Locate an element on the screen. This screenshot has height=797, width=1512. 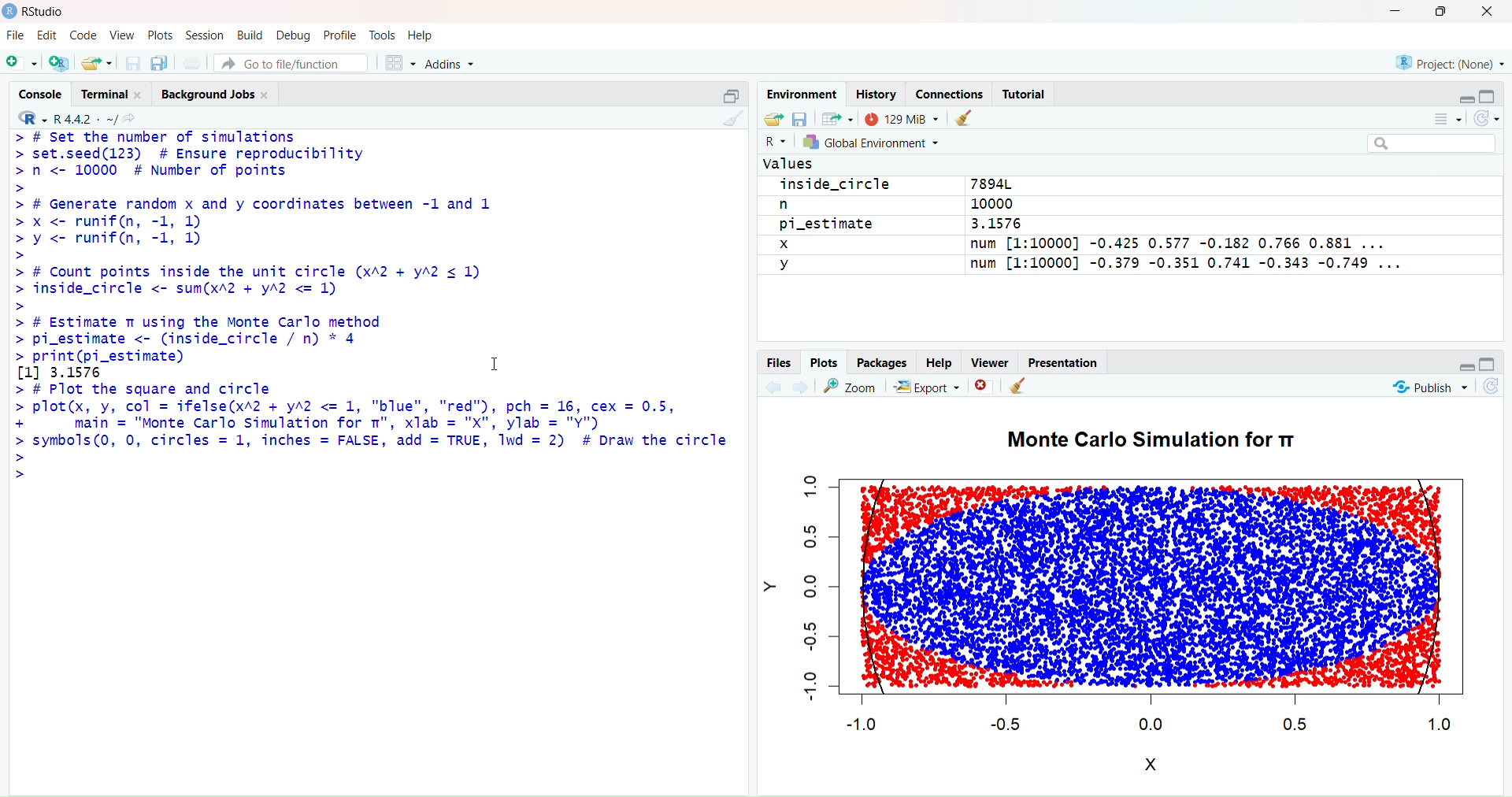
Workspace panes is located at coordinates (402, 63).